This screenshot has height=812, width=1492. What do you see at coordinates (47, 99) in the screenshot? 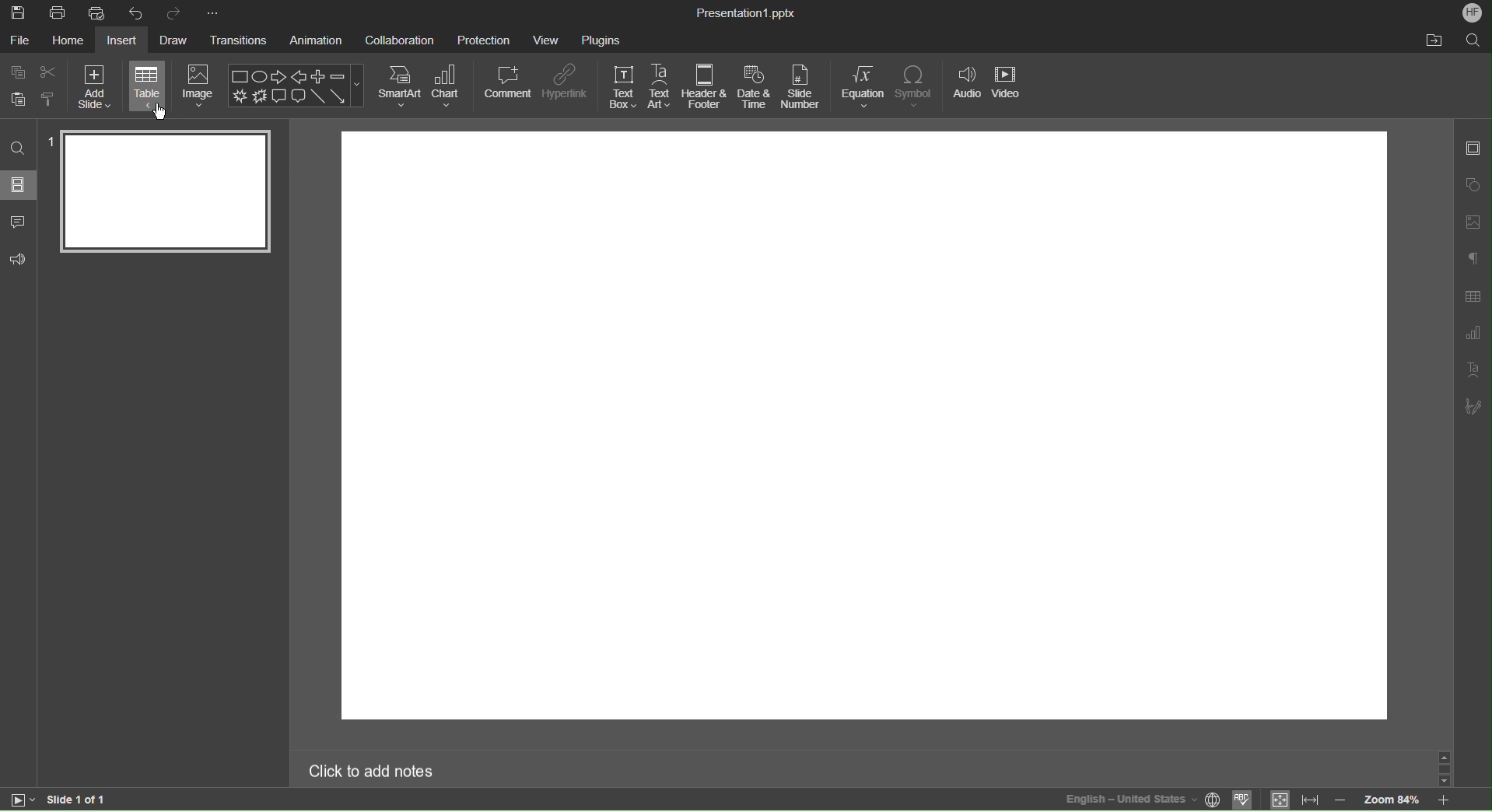
I see `Copy Style` at bounding box center [47, 99].